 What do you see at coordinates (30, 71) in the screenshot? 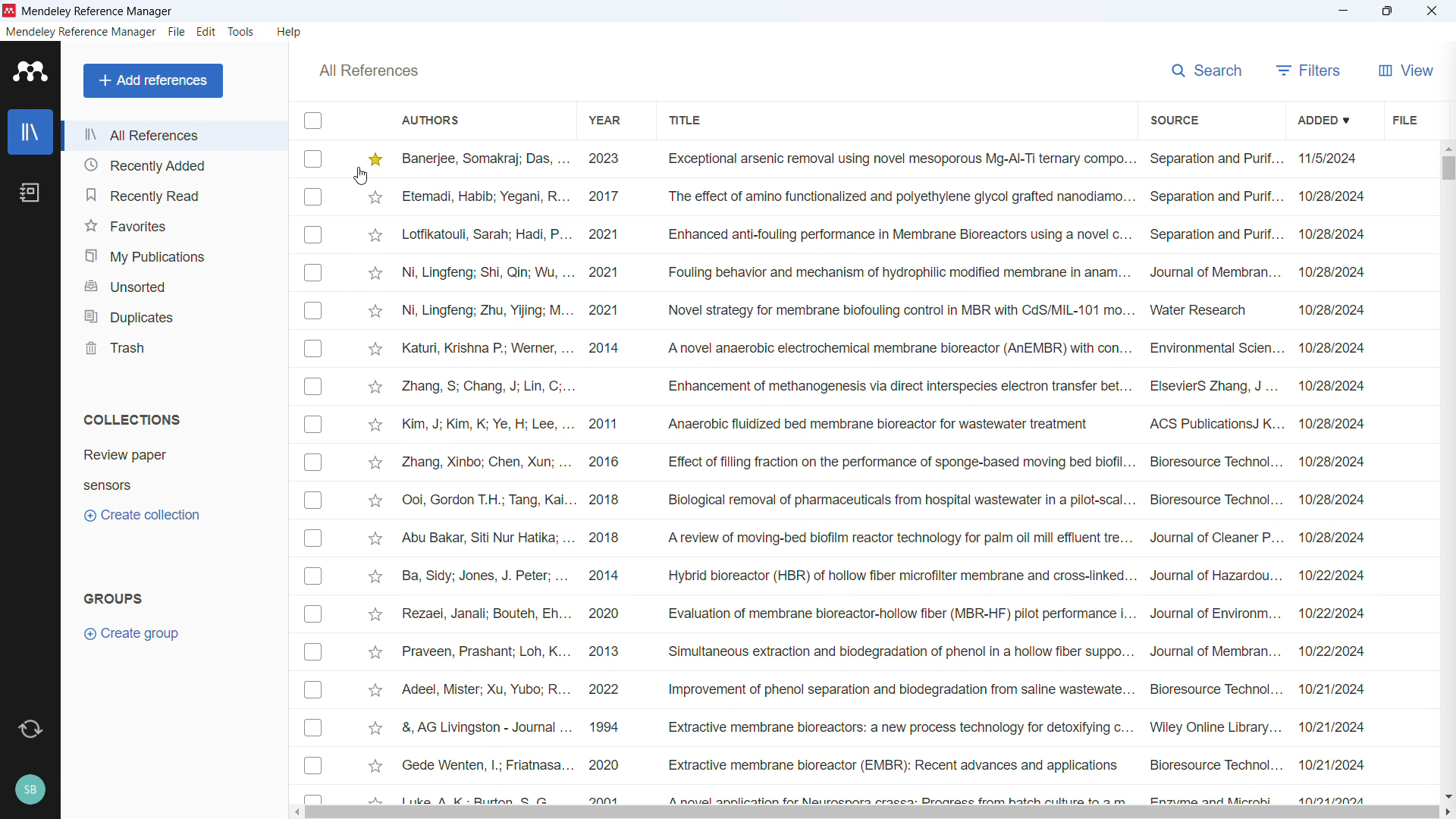
I see `logo ` at bounding box center [30, 71].